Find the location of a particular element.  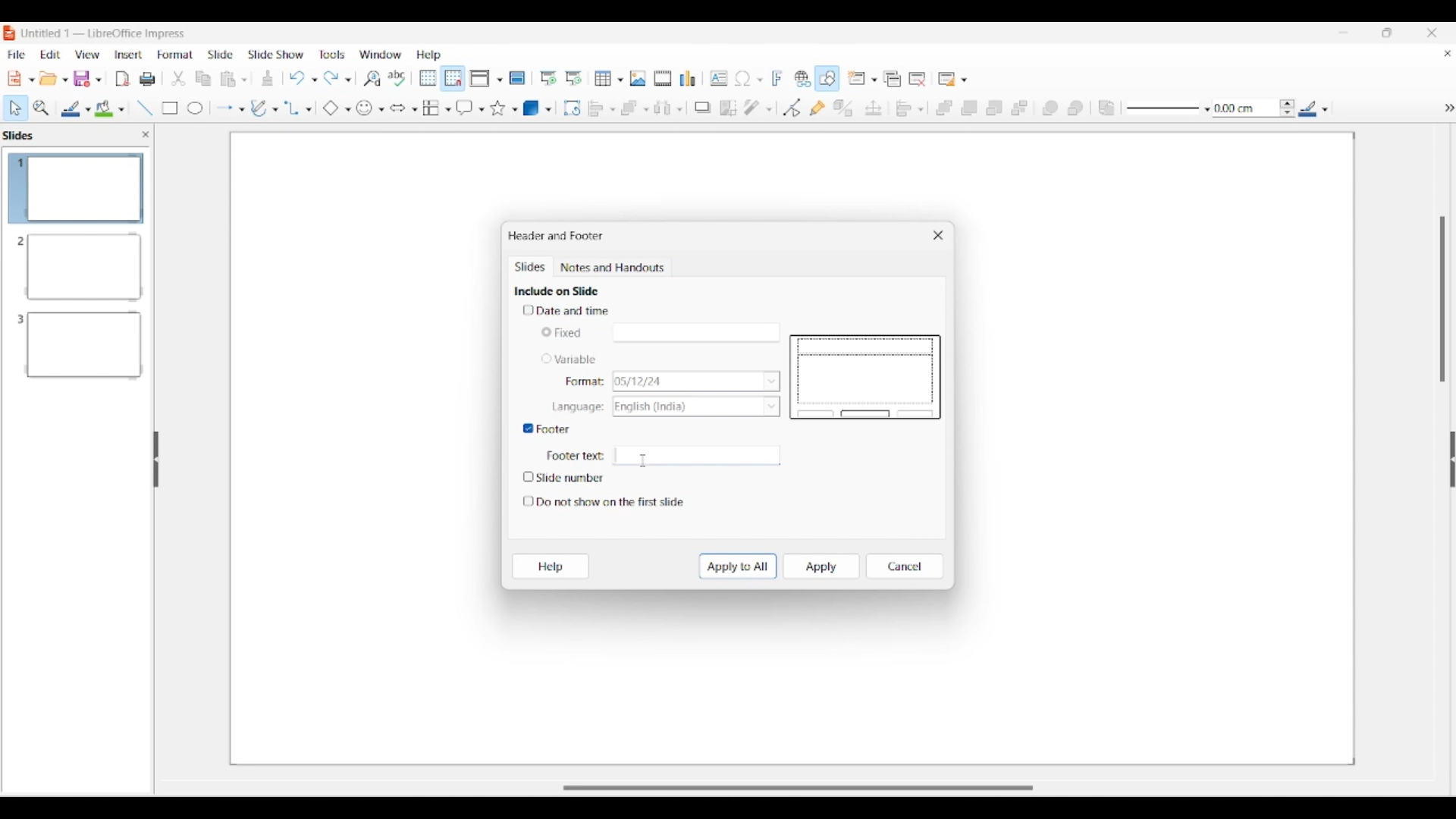

Format menu is located at coordinates (175, 55).